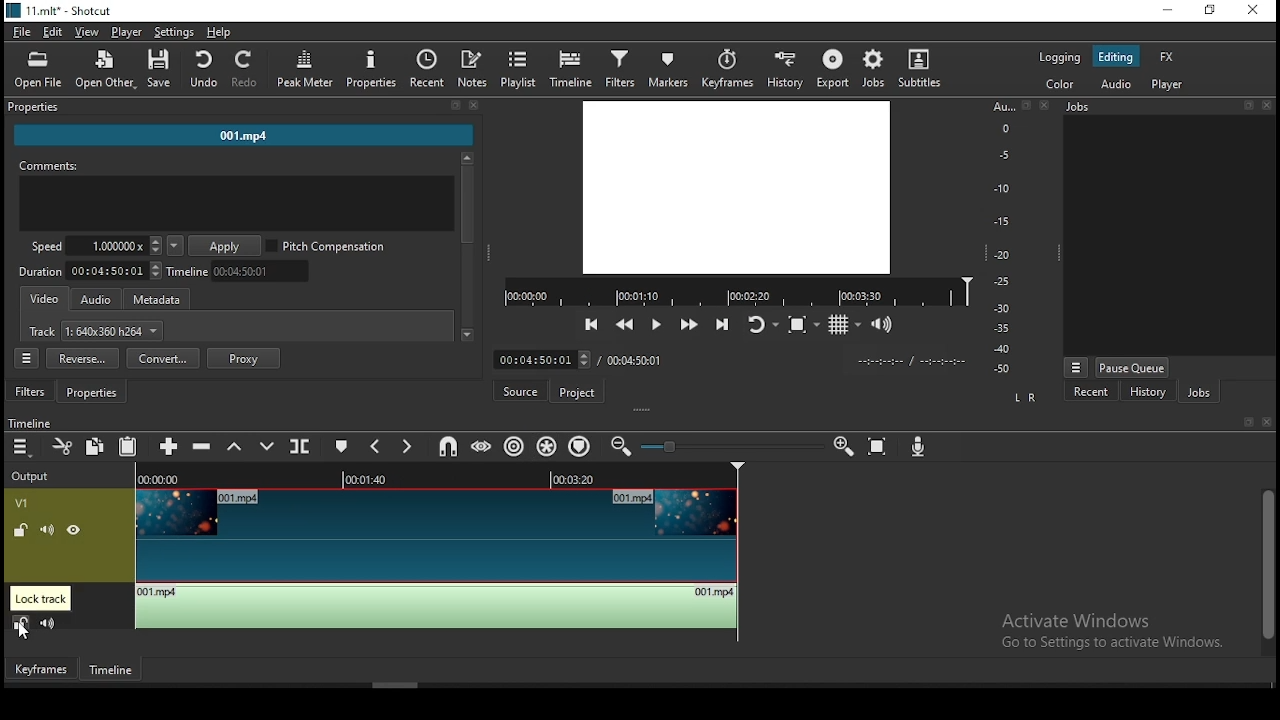 The image size is (1280, 720). What do you see at coordinates (831, 68) in the screenshot?
I see `export` at bounding box center [831, 68].